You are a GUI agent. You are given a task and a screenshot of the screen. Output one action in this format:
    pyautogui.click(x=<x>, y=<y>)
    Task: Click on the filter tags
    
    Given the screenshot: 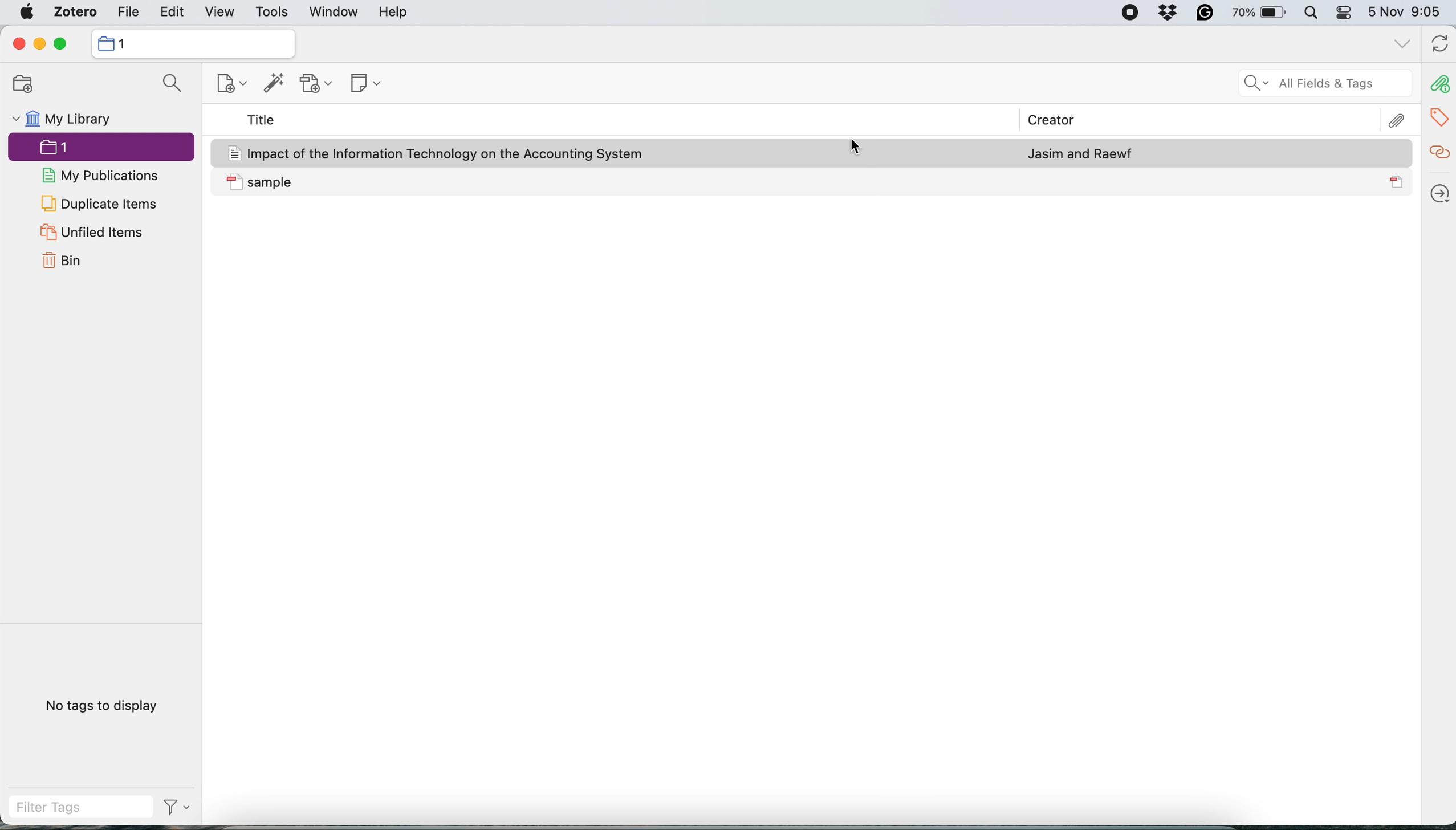 What is the action you would take?
    pyautogui.click(x=100, y=807)
    